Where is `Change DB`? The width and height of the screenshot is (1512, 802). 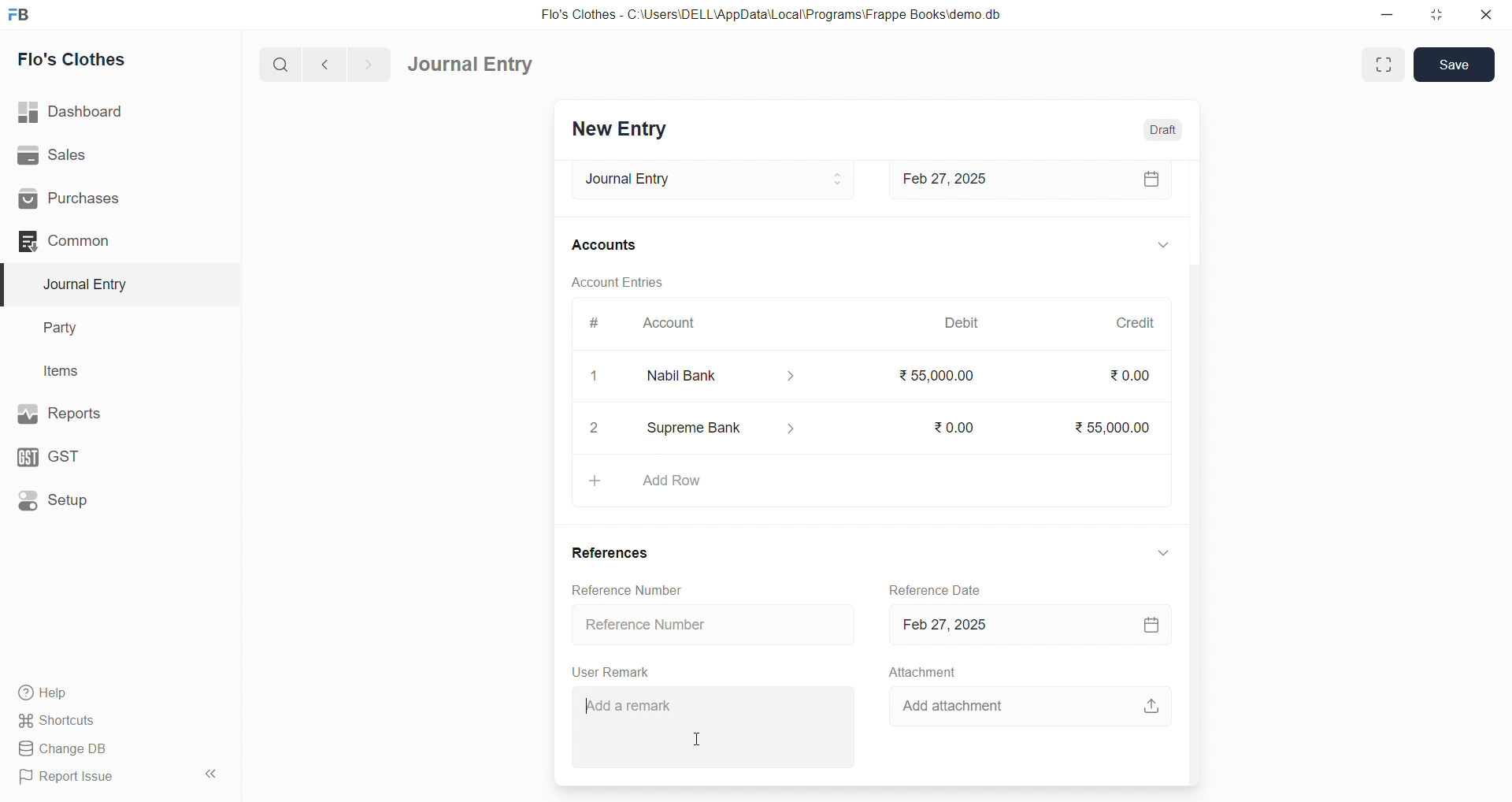 Change DB is located at coordinates (98, 748).